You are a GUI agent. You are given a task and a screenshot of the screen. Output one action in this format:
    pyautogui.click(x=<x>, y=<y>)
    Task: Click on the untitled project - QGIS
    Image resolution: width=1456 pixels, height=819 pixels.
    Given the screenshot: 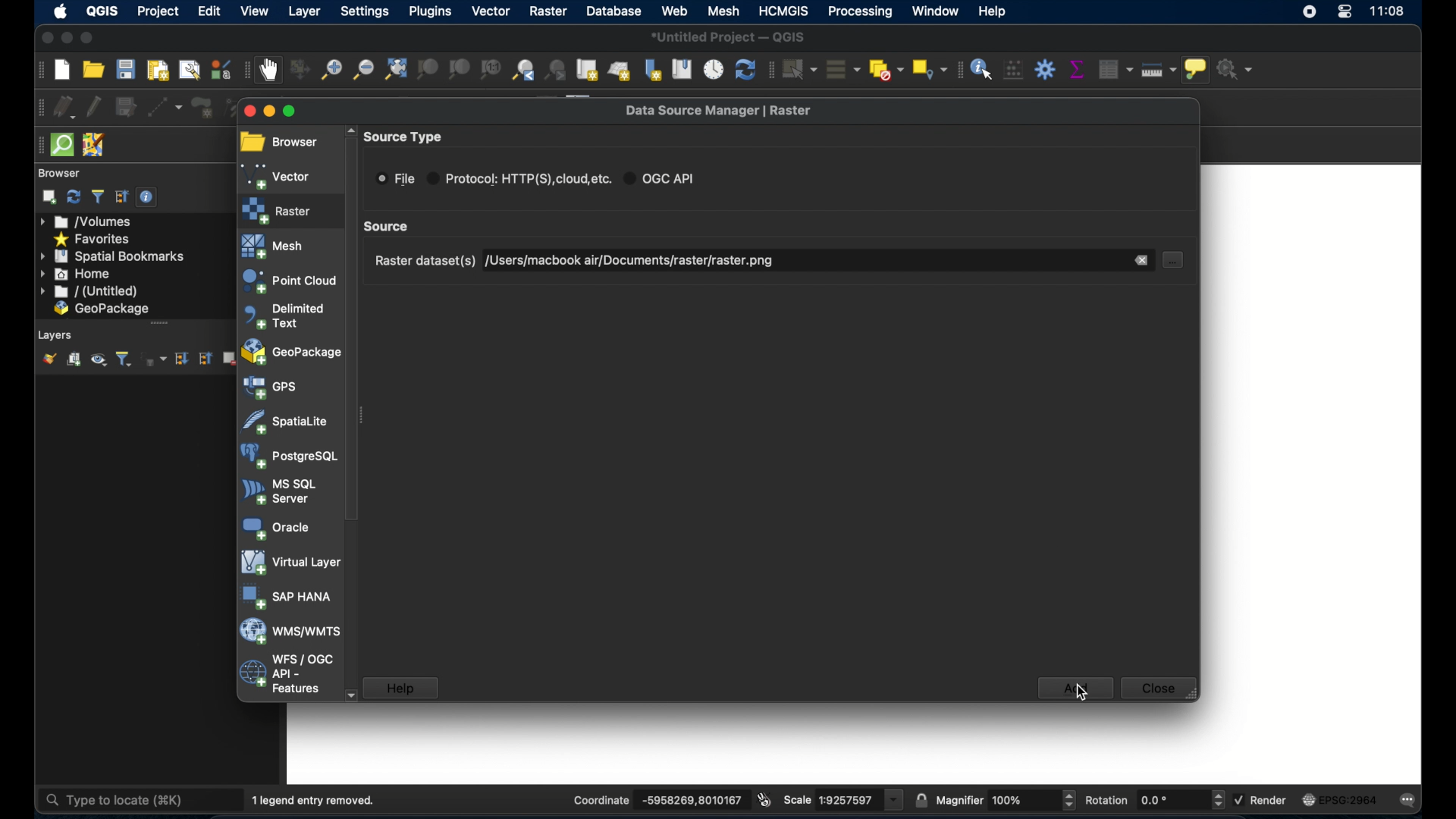 What is the action you would take?
    pyautogui.click(x=732, y=36)
    